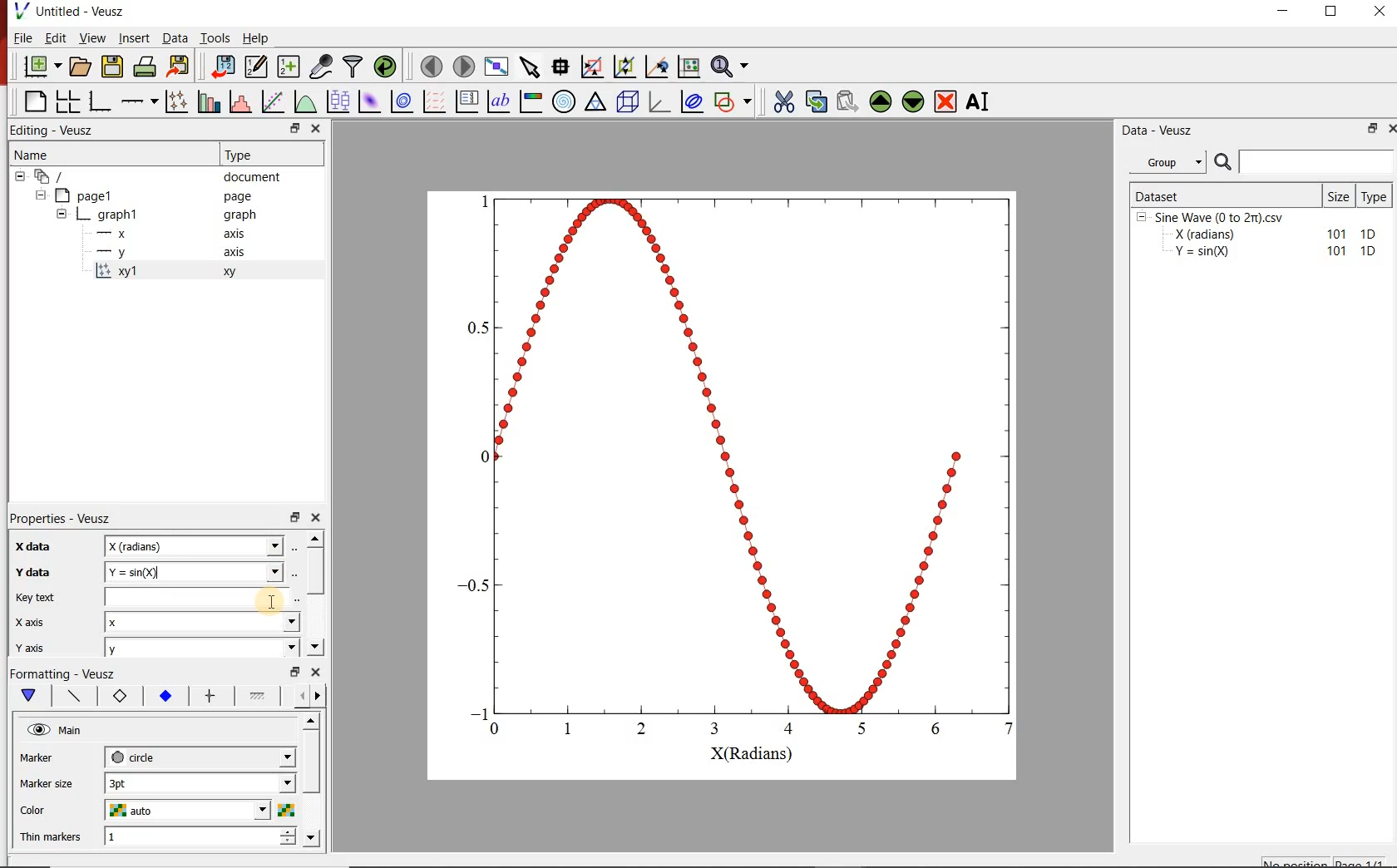 This screenshot has width=1397, height=868. What do you see at coordinates (174, 37) in the screenshot?
I see `Data` at bounding box center [174, 37].